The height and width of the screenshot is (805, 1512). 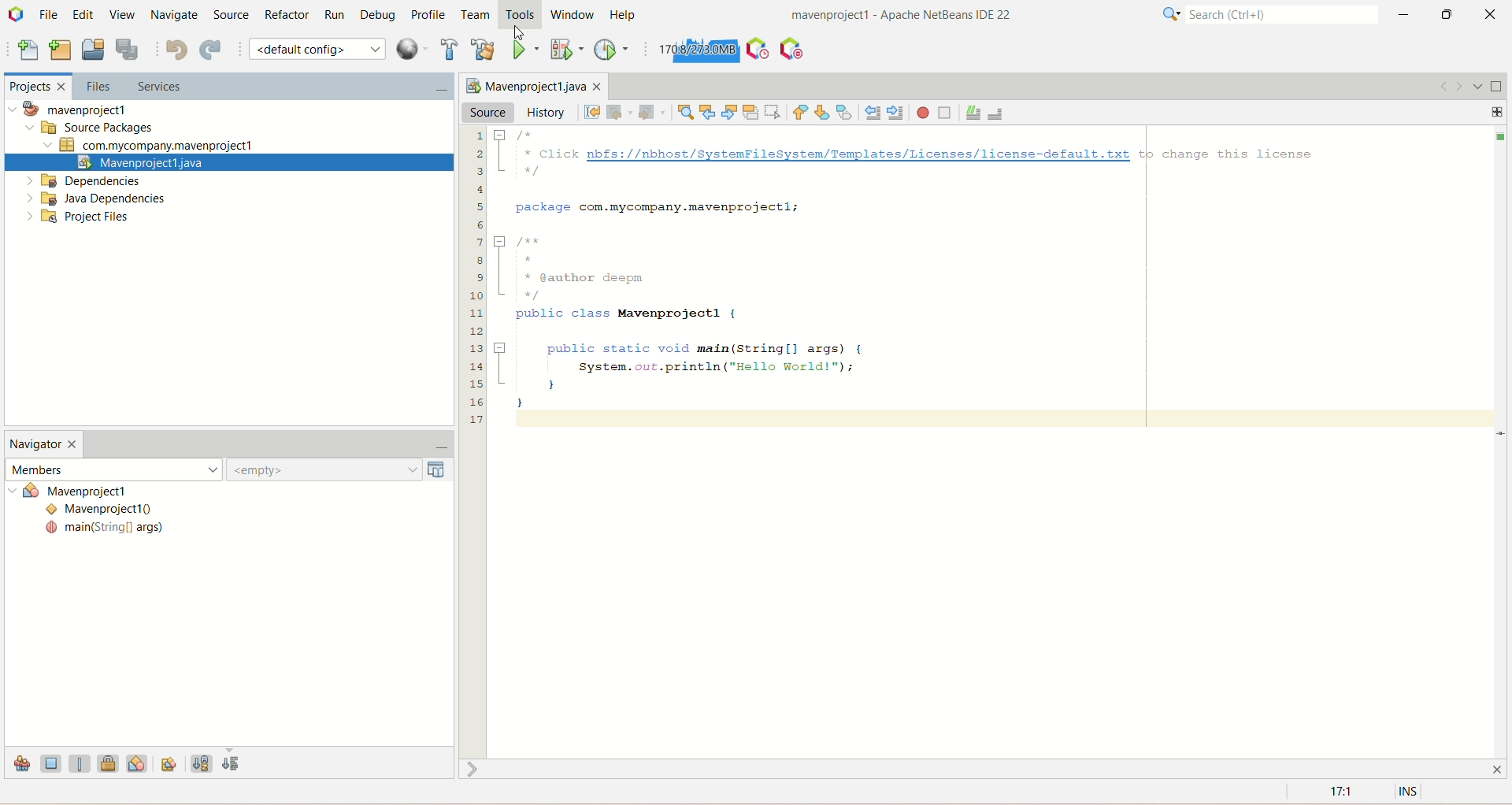 I want to click on sort by name, so click(x=201, y=761).